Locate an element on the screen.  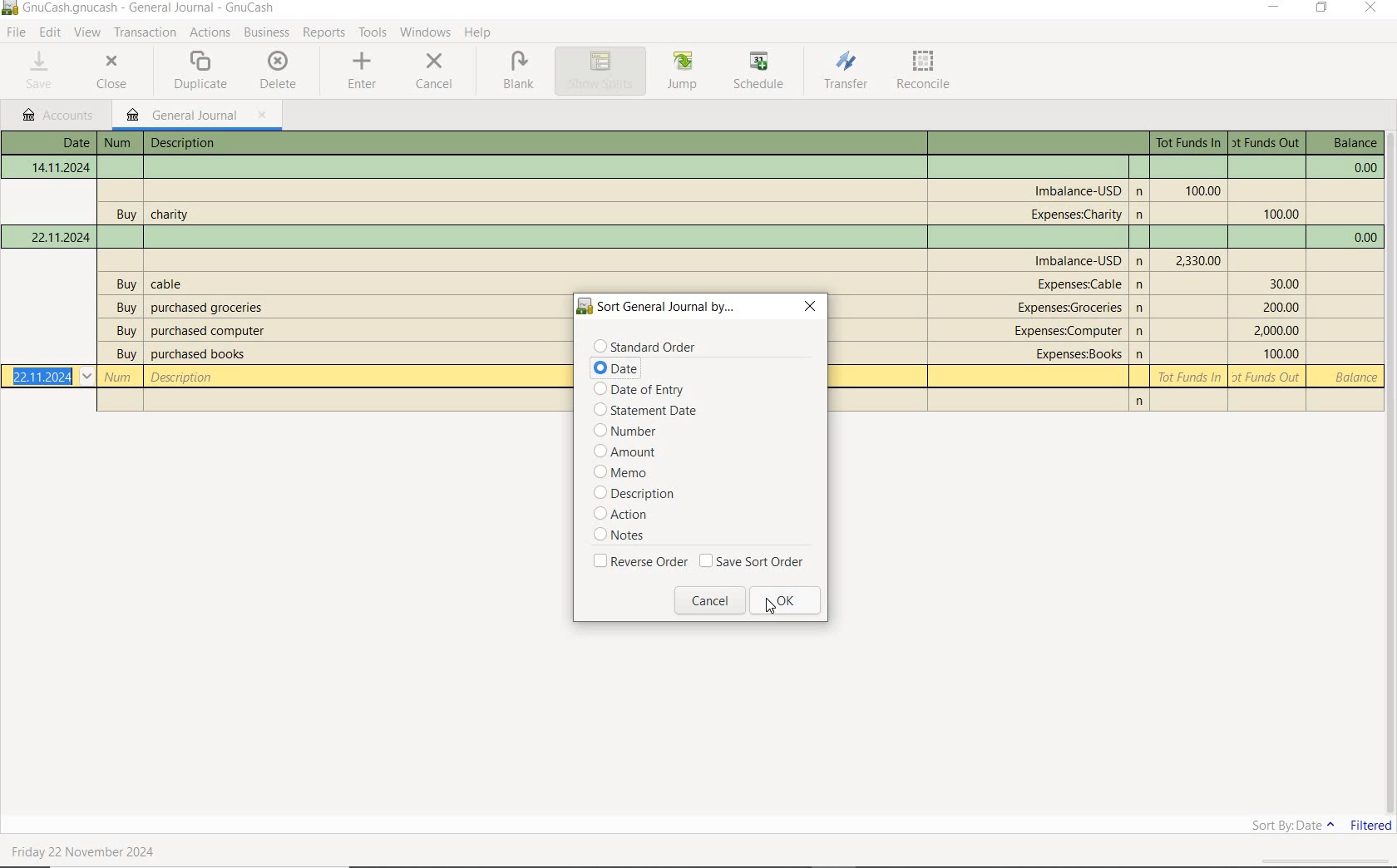
Number is located at coordinates (117, 143).